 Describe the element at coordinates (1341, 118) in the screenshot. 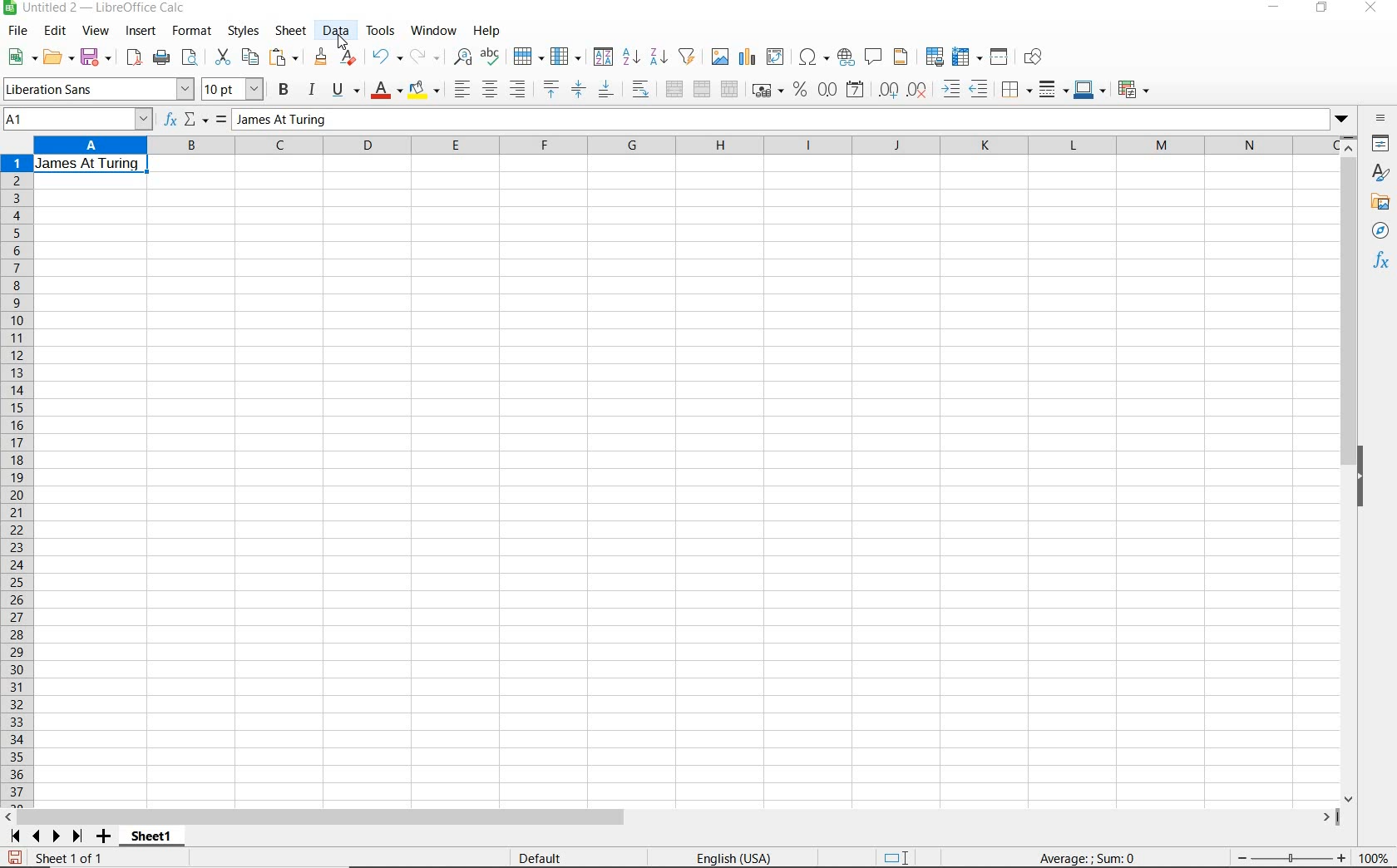

I see `dropdown` at that location.